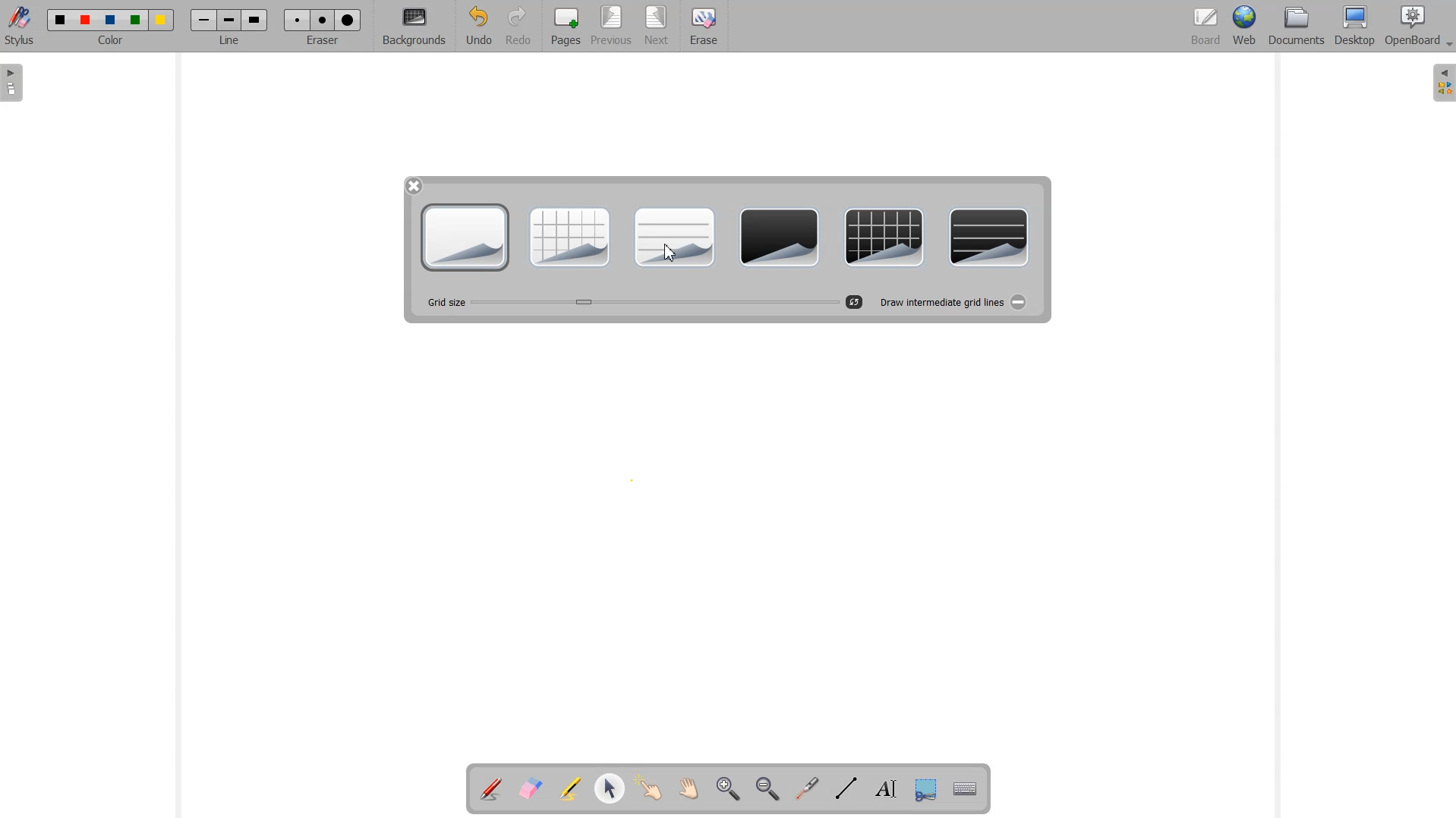  Describe the element at coordinates (803, 790) in the screenshot. I see `Virtual Laser Pointer` at that location.